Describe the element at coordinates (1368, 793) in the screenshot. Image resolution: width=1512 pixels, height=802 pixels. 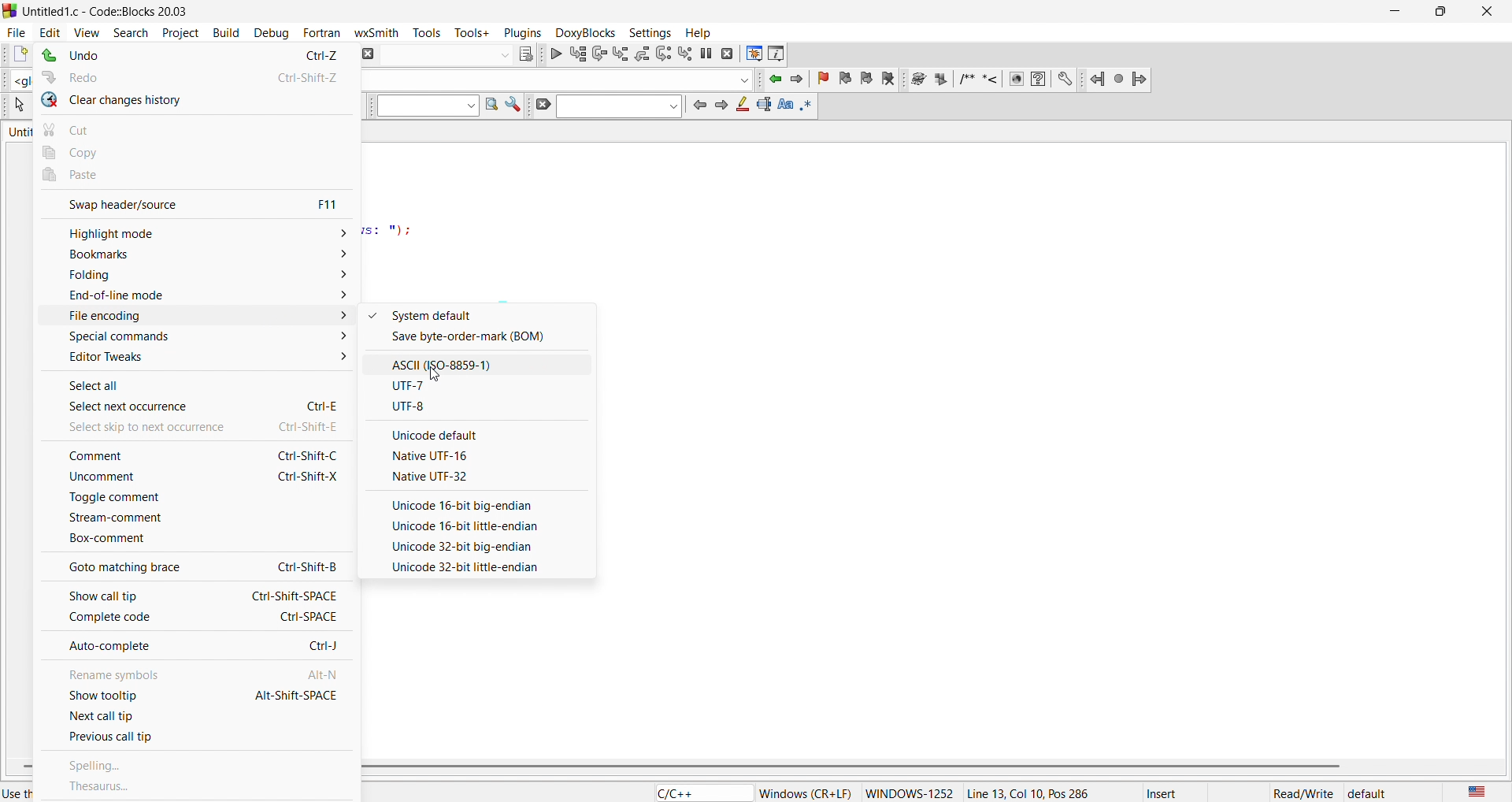
I see `default` at that location.